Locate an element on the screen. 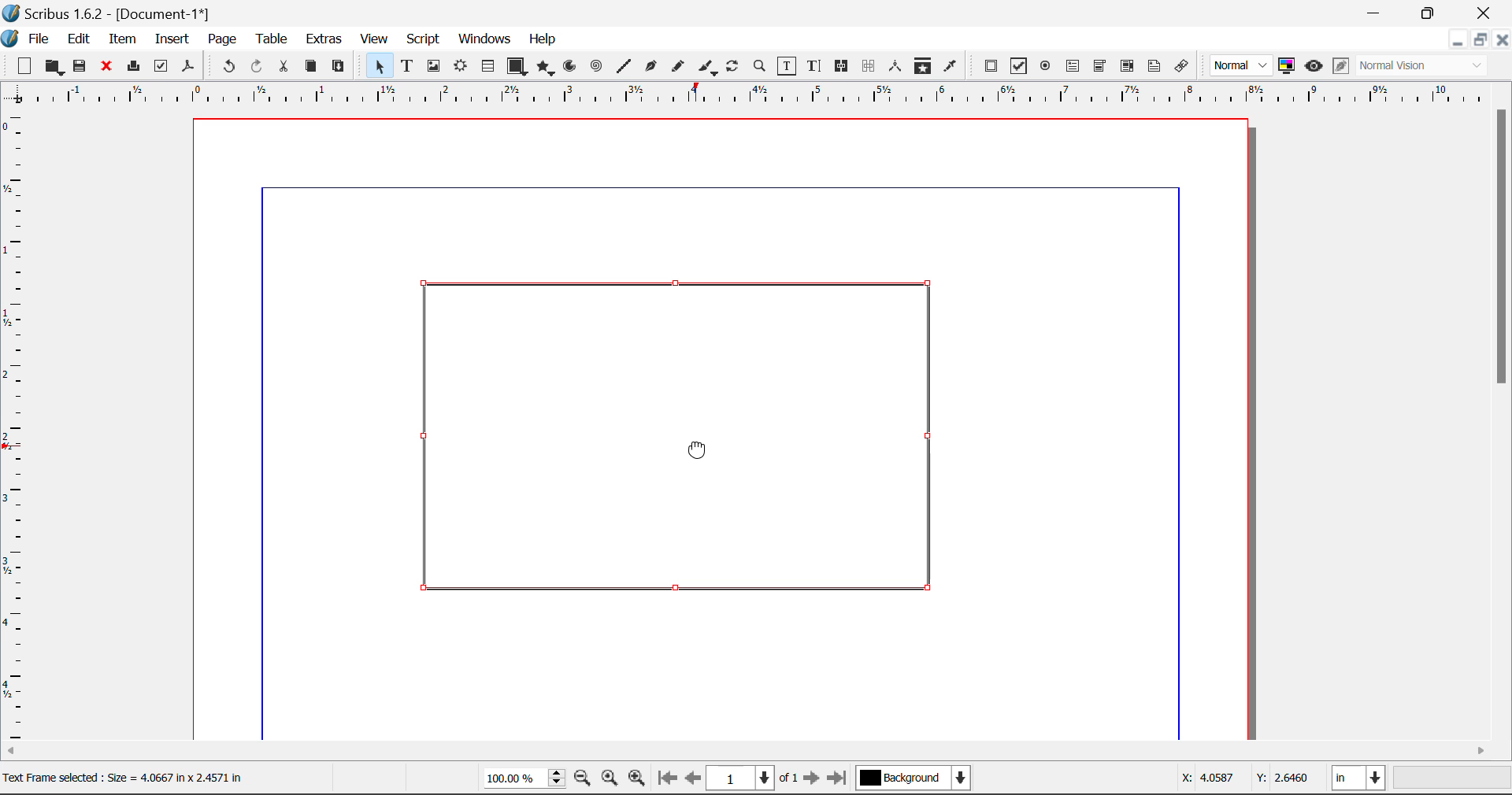 This screenshot has height=795, width=1512. New is located at coordinates (23, 66).